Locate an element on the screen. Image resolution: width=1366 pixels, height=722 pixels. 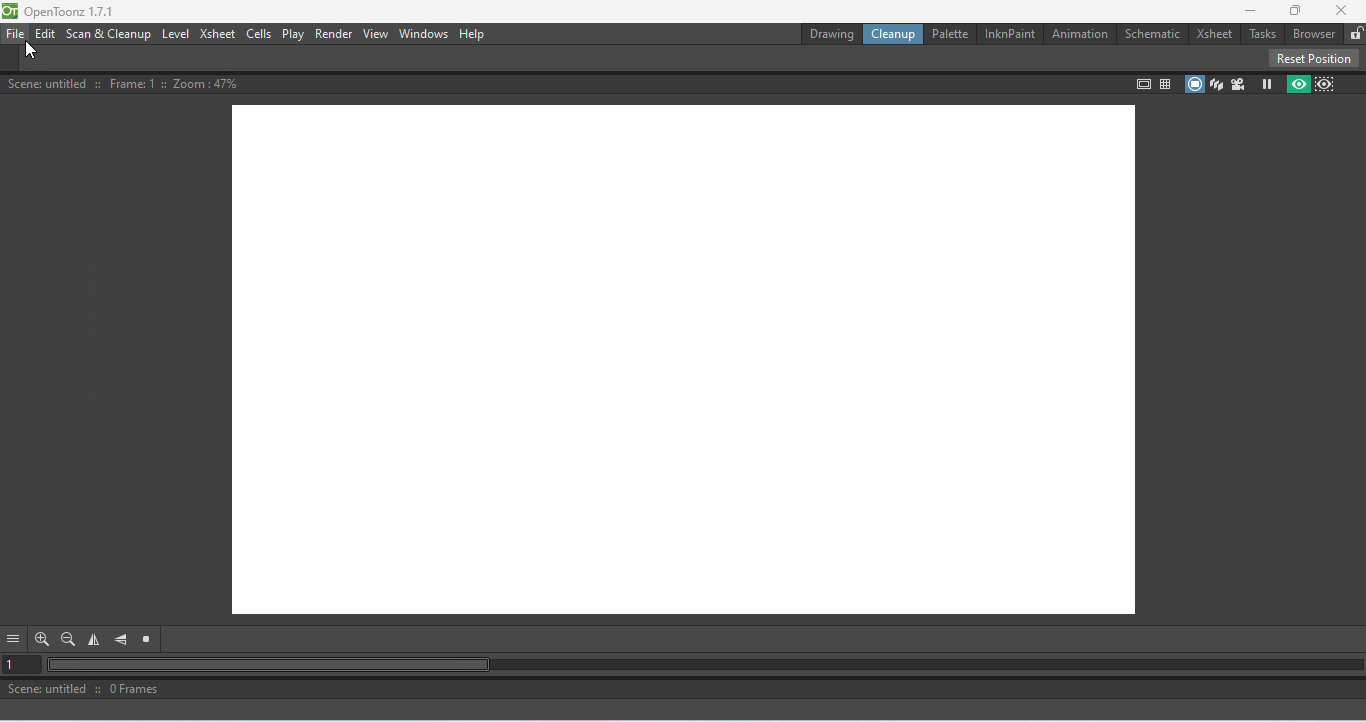
Windows is located at coordinates (424, 33).